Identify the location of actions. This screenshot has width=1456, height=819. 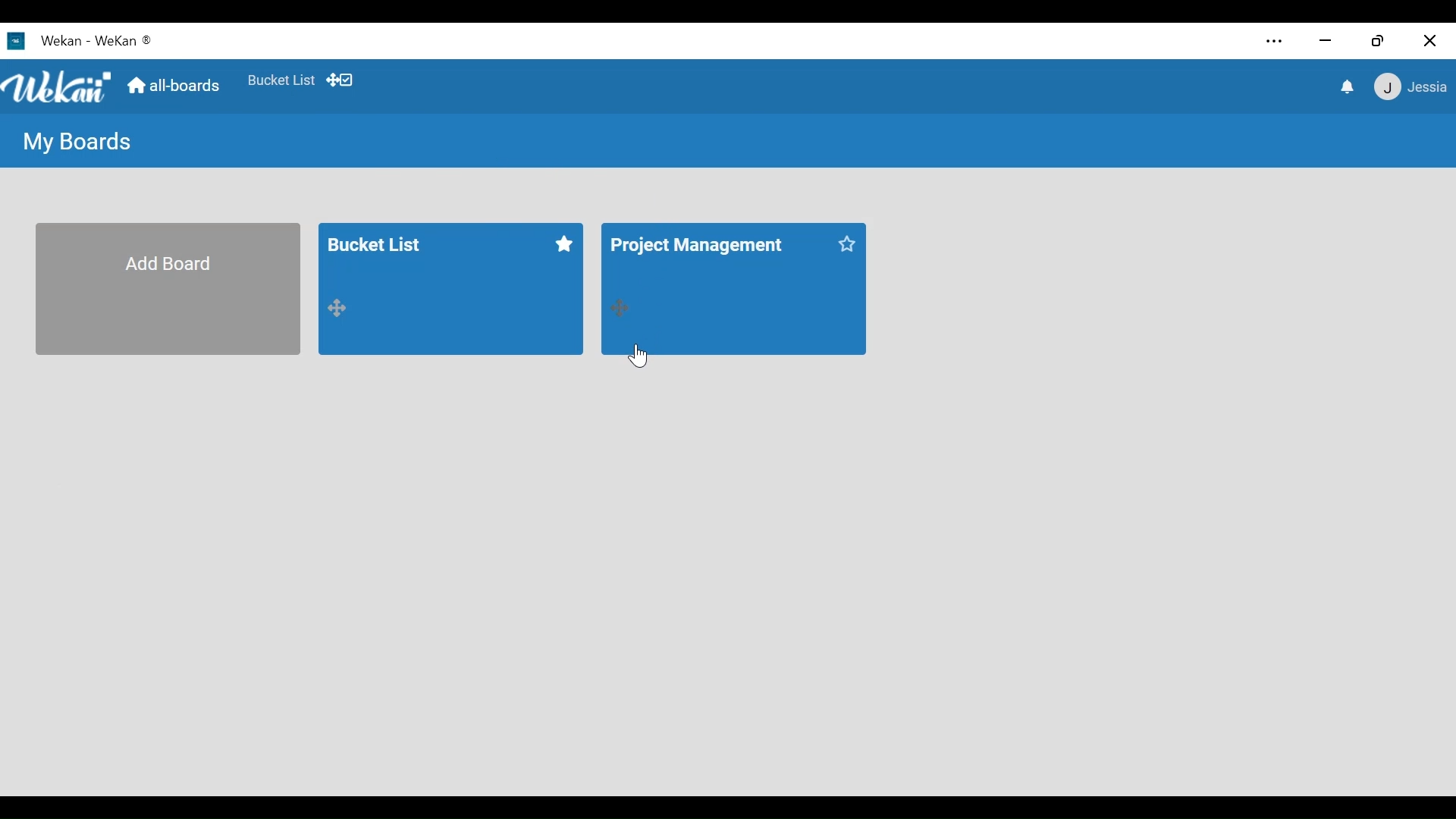
(617, 307).